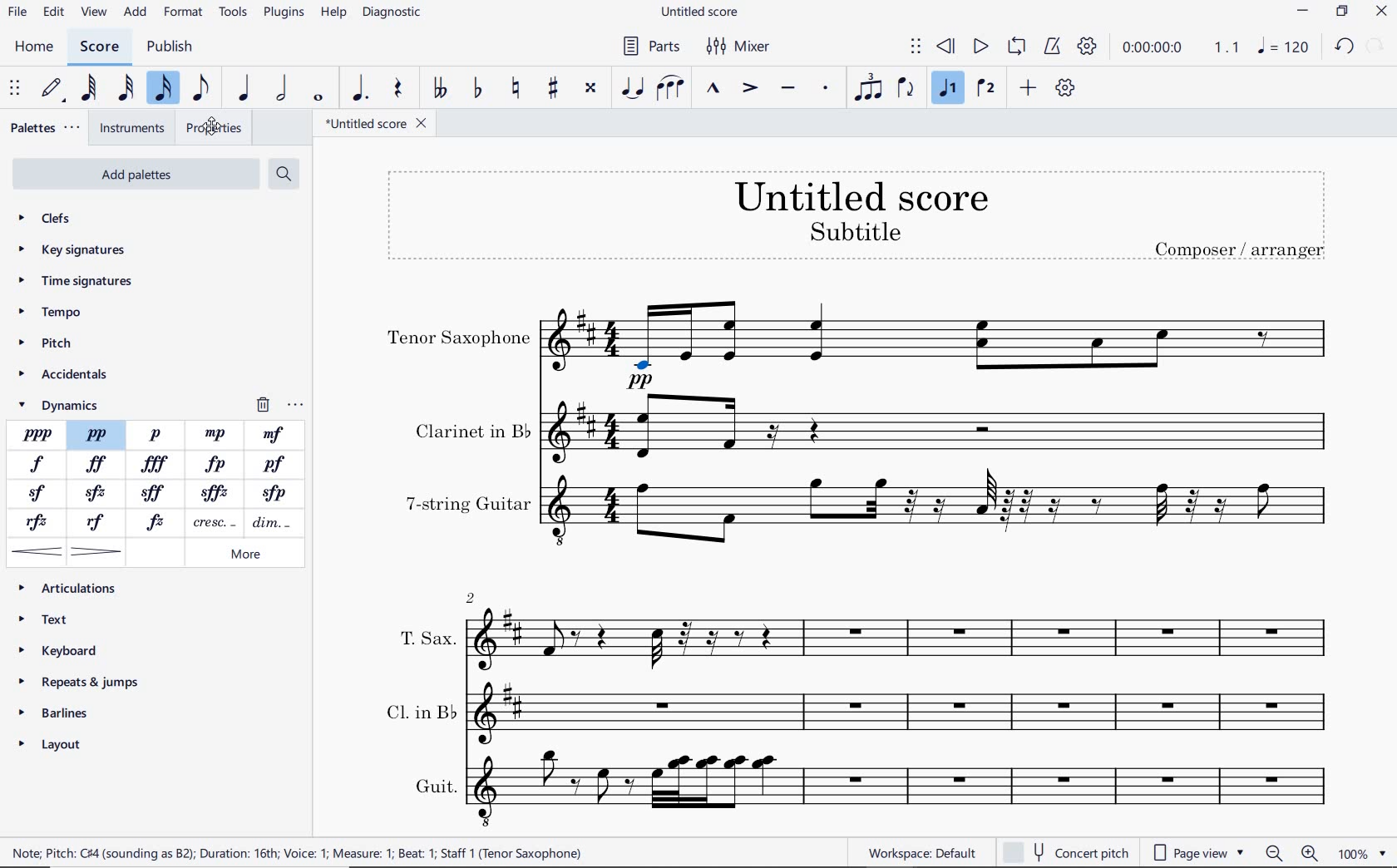  I want to click on zoom factor, so click(1361, 853).